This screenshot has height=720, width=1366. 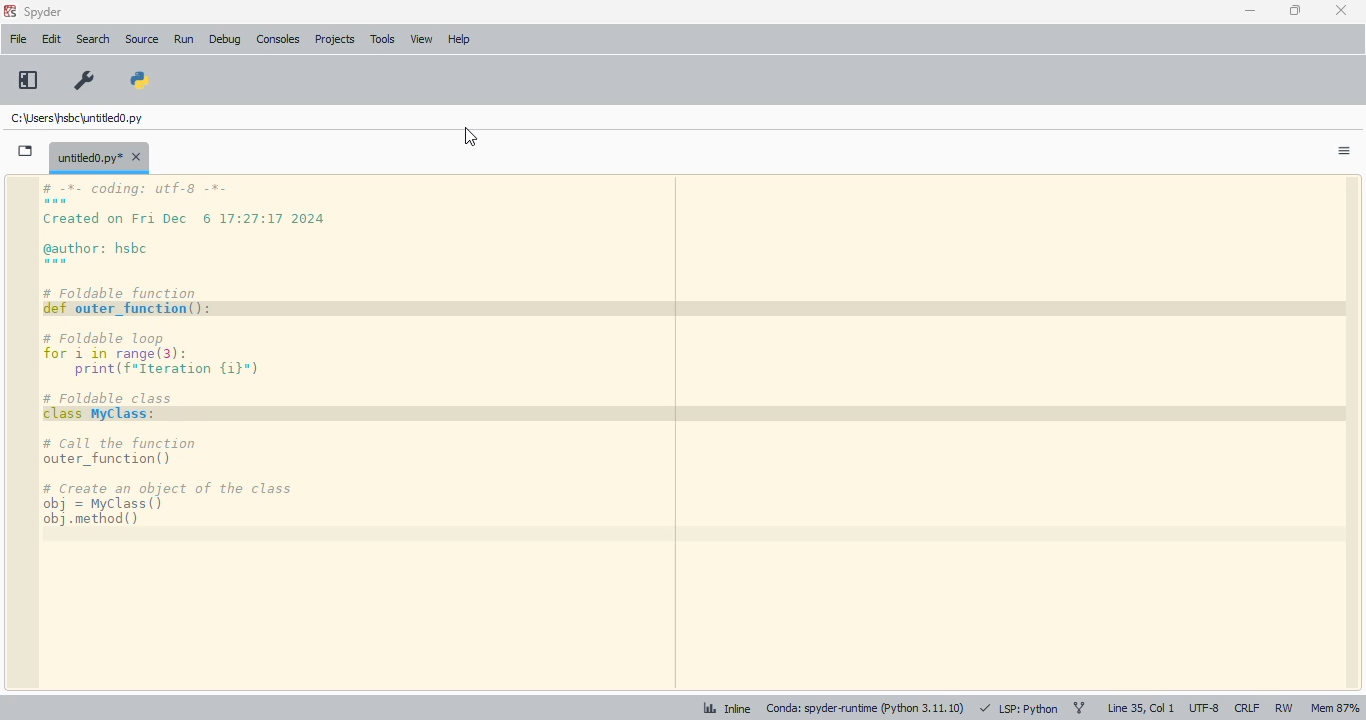 I want to click on help, so click(x=462, y=42).